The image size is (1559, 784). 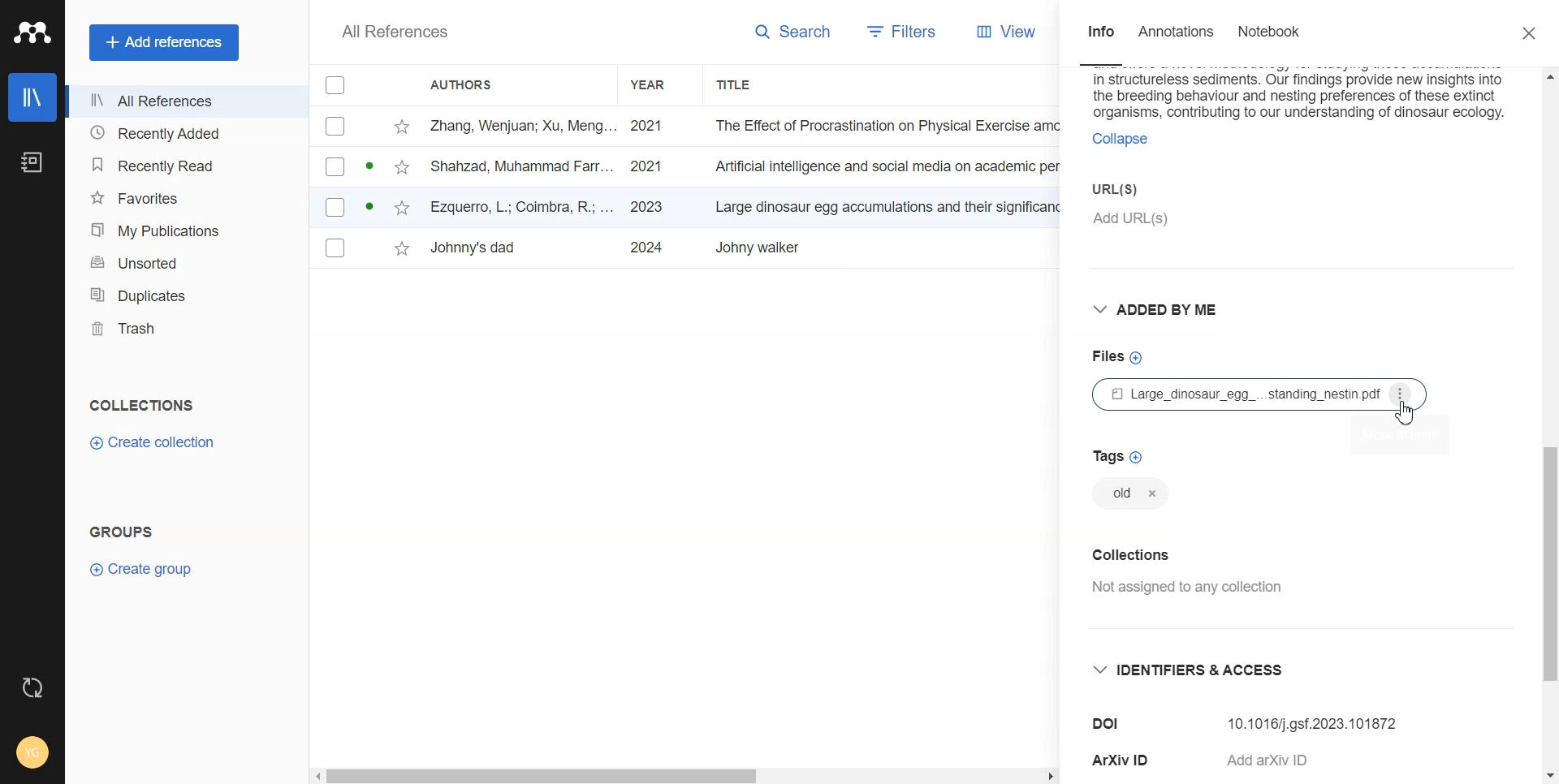 I want to click on Shahzad, Muhammad, so click(x=524, y=166).